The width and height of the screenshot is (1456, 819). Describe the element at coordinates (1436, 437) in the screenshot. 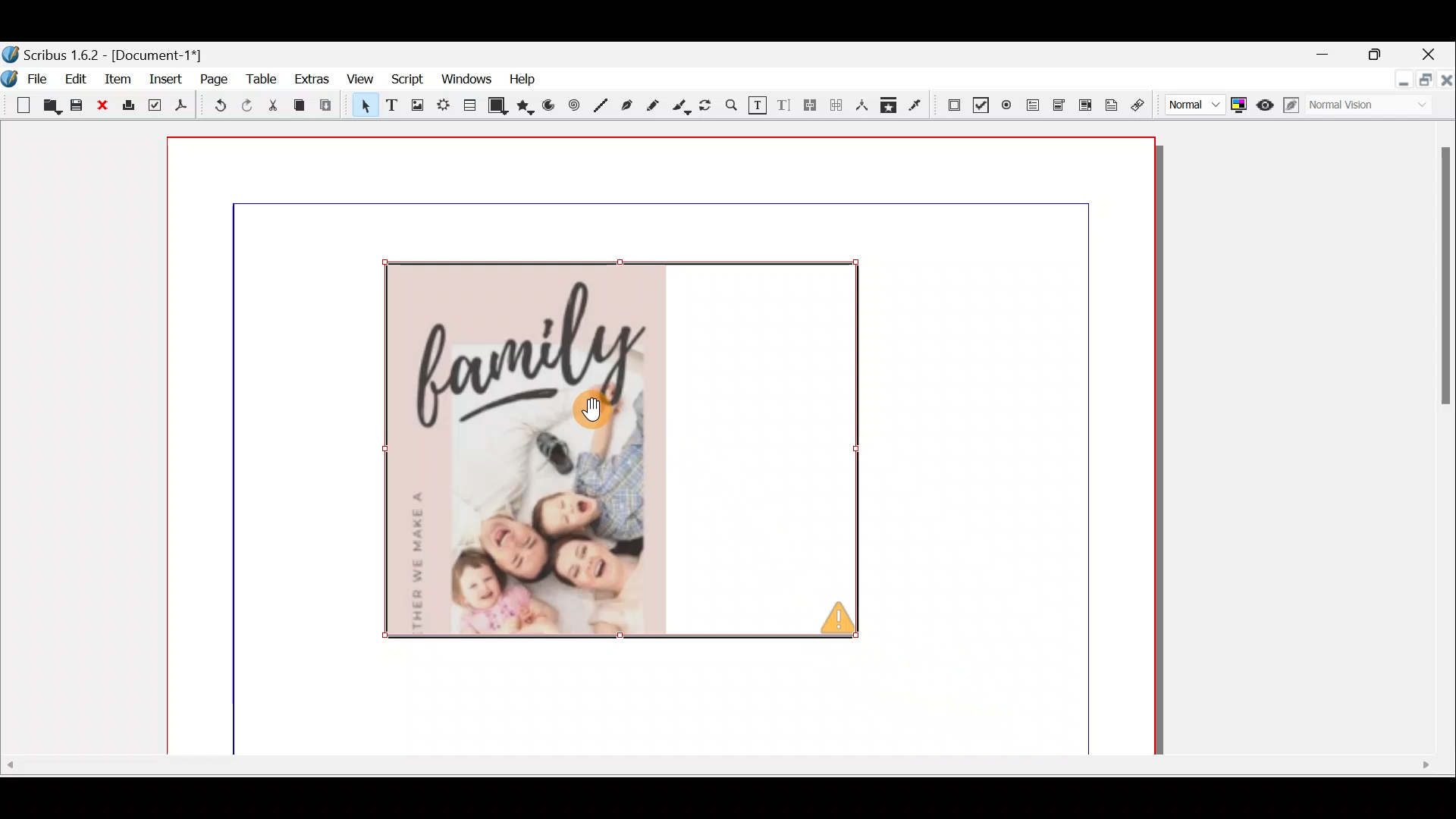

I see `Scroll bar` at that location.